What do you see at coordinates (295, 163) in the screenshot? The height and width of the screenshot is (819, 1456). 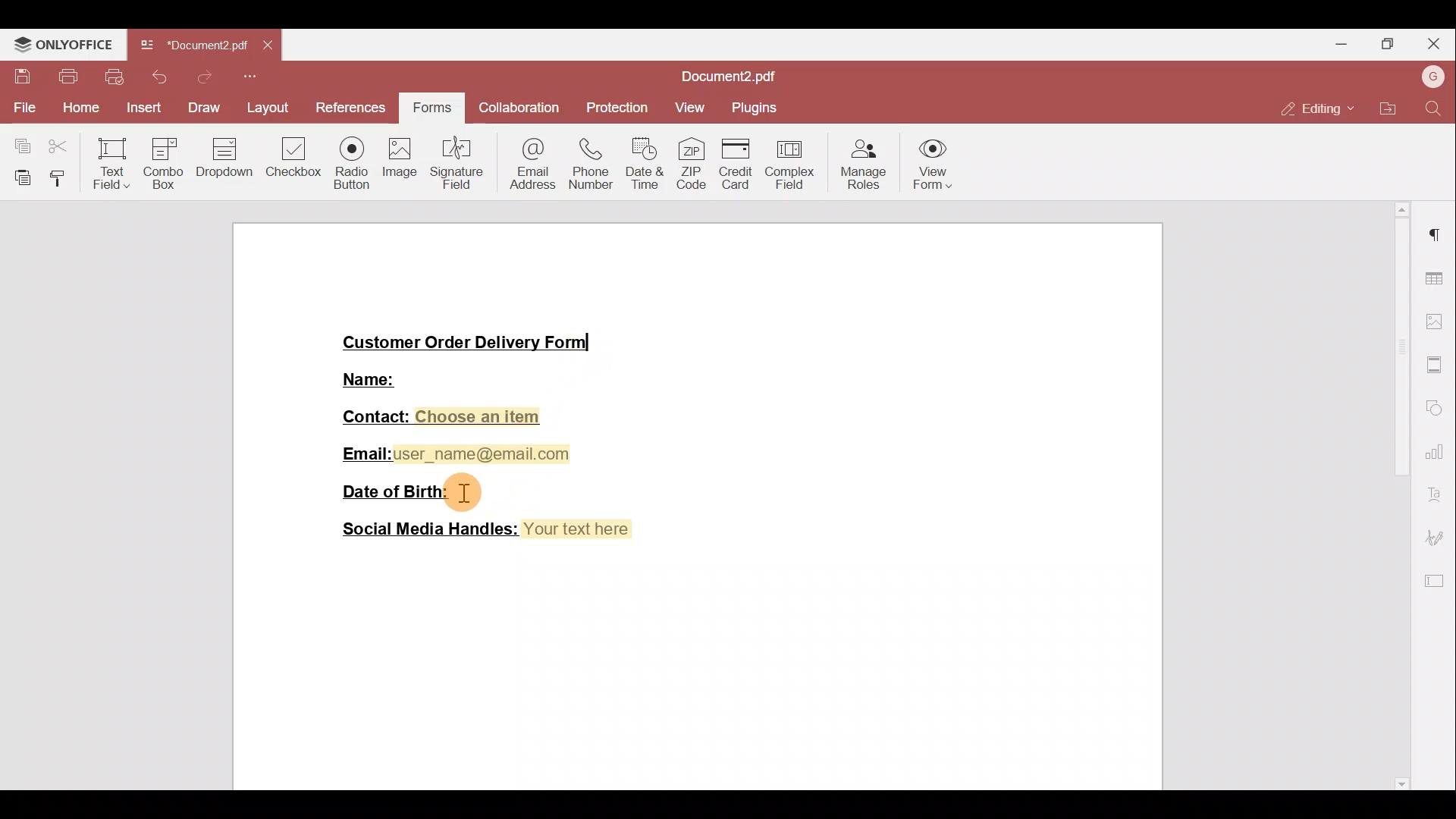 I see `Checkbox` at bounding box center [295, 163].